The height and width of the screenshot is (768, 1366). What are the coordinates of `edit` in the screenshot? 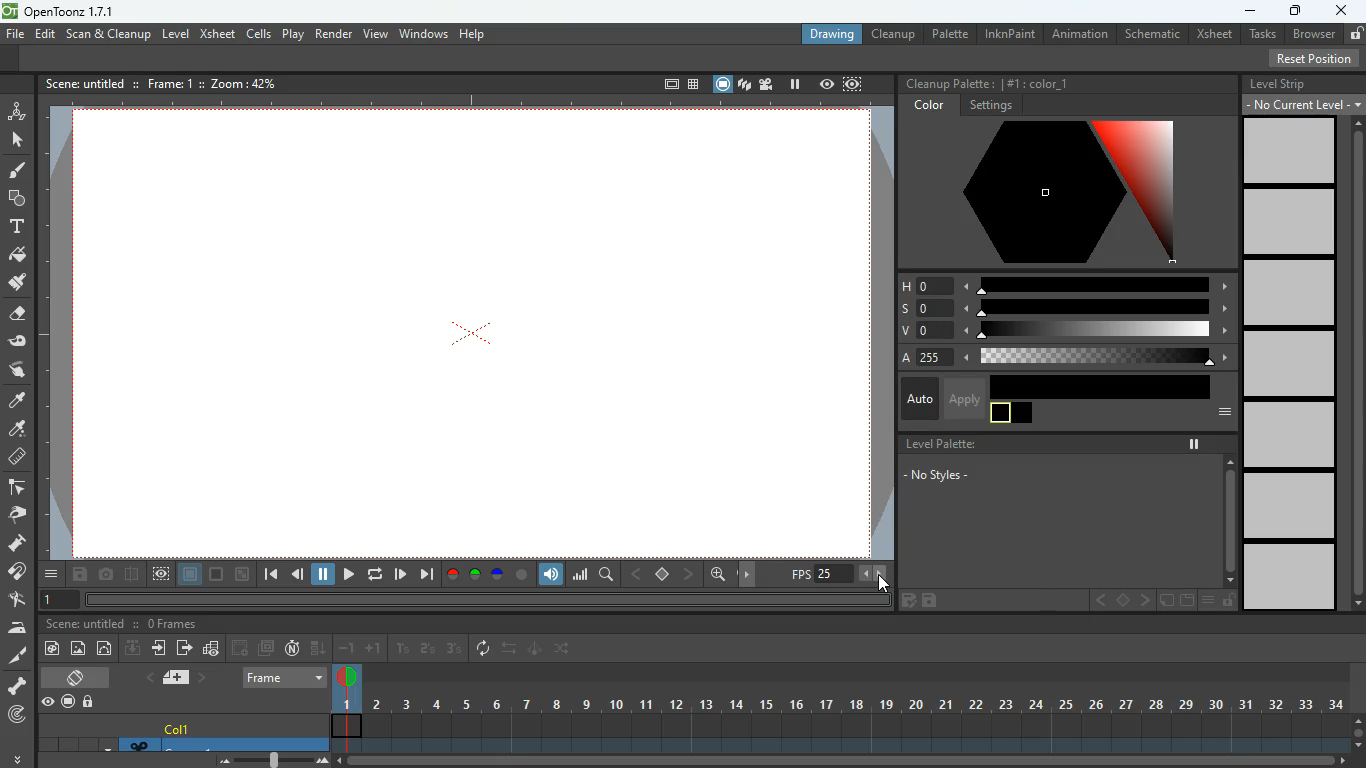 It's located at (45, 35).